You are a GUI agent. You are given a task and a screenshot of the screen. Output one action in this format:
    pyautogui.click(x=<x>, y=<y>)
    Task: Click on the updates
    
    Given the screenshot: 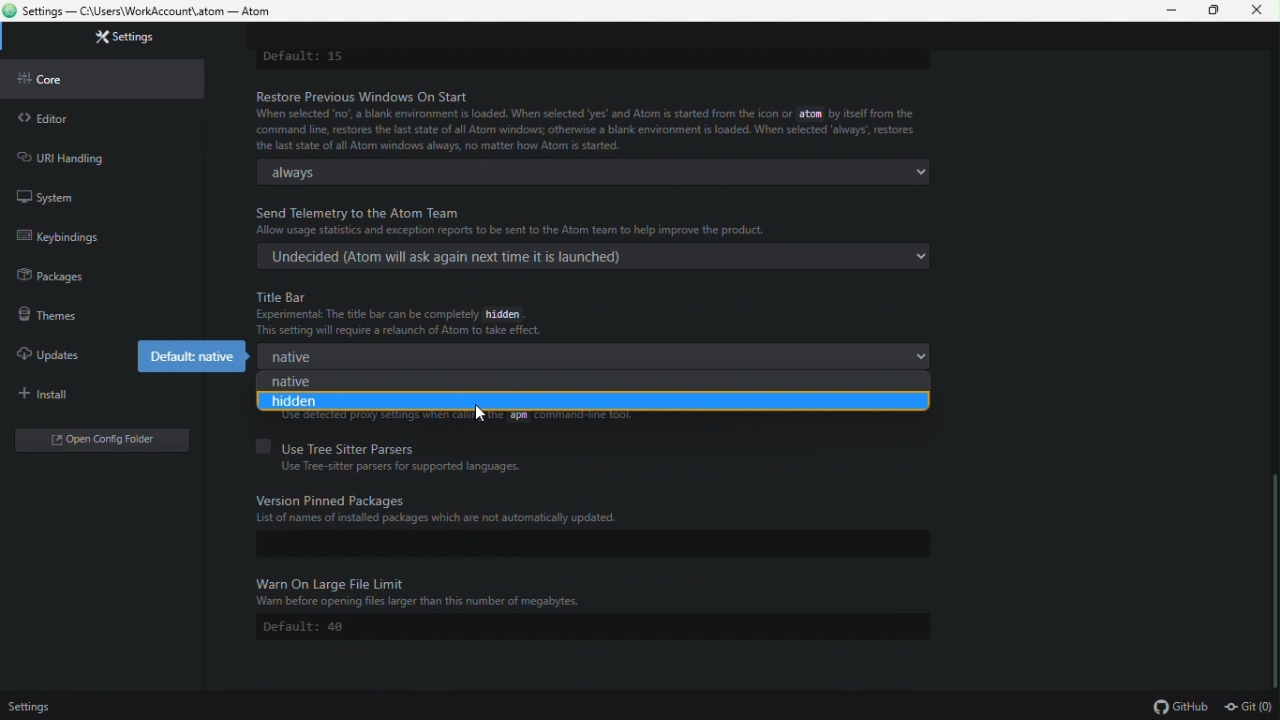 What is the action you would take?
    pyautogui.click(x=58, y=350)
    